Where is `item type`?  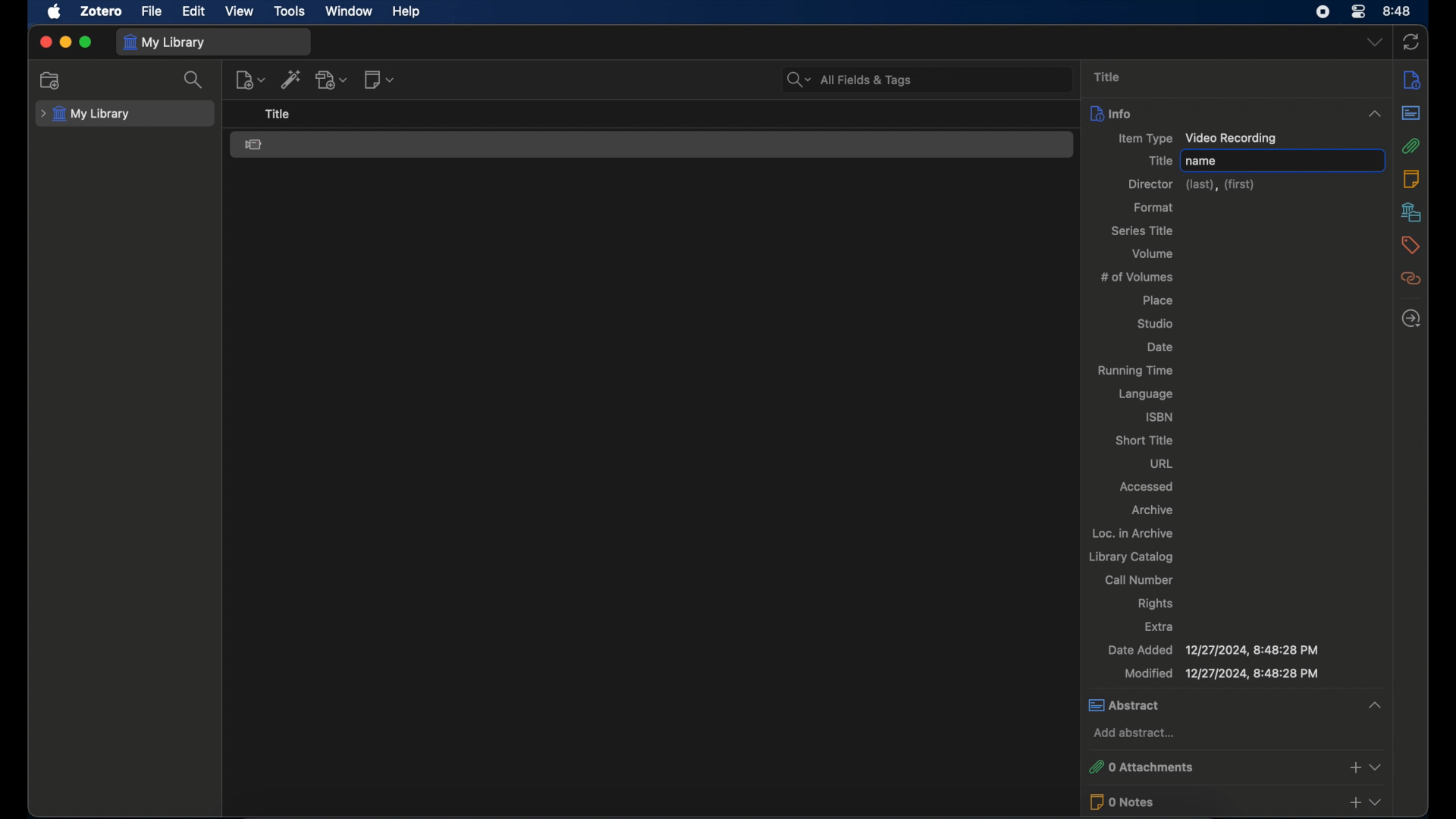
item type is located at coordinates (1196, 139).